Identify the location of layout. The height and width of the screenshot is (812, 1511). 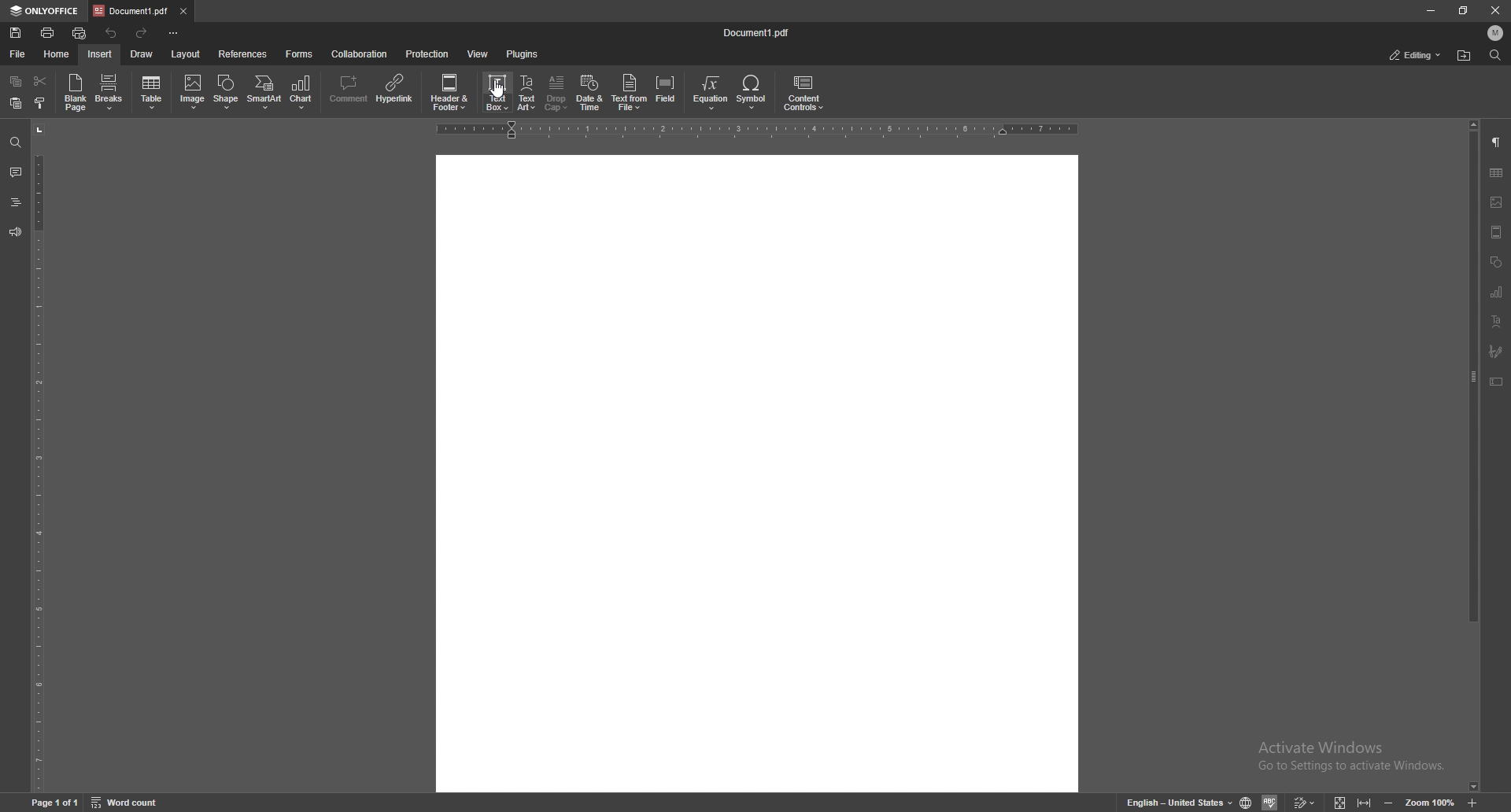
(187, 55).